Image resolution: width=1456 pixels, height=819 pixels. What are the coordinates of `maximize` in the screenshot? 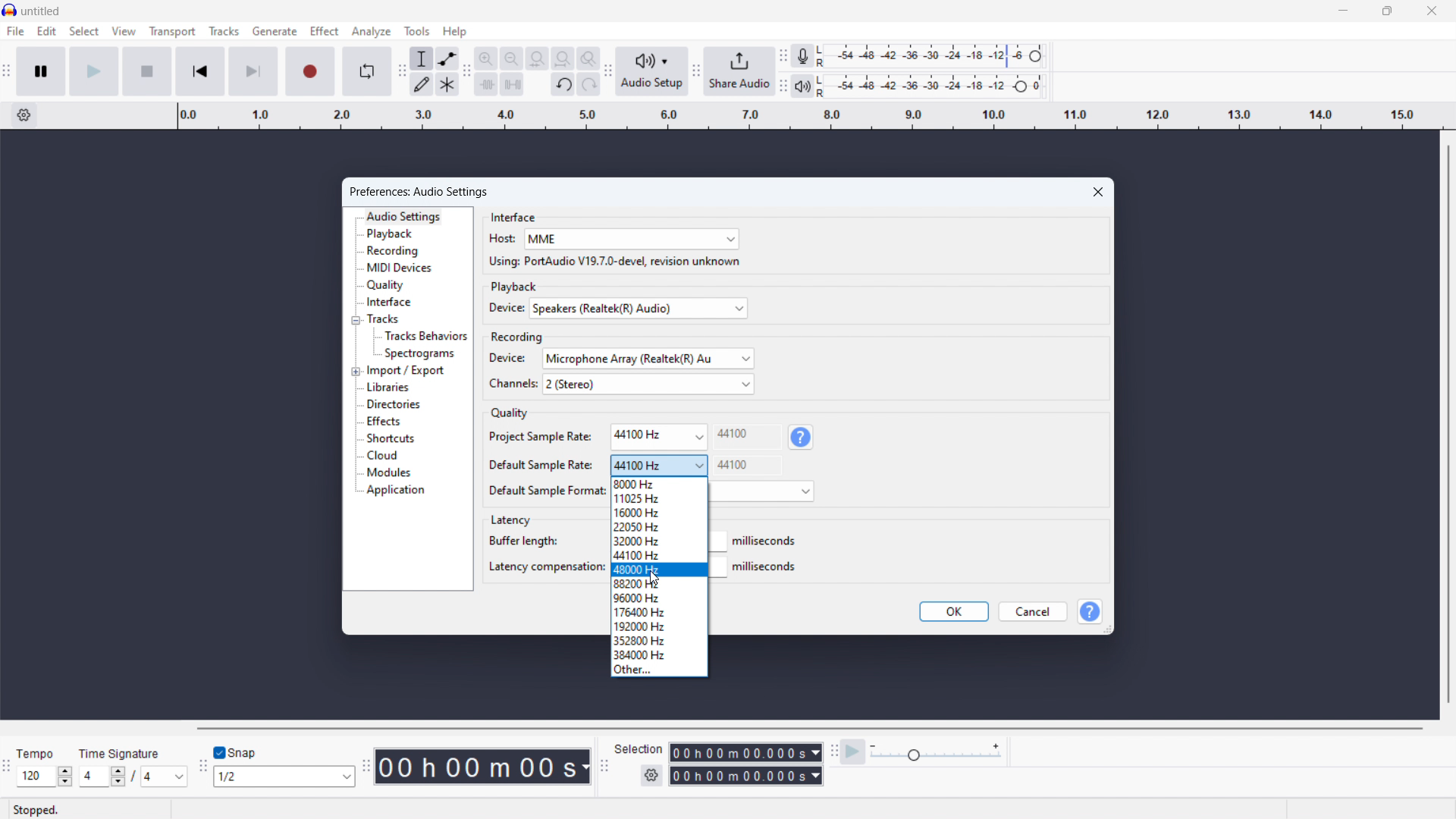 It's located at (1387, 11).